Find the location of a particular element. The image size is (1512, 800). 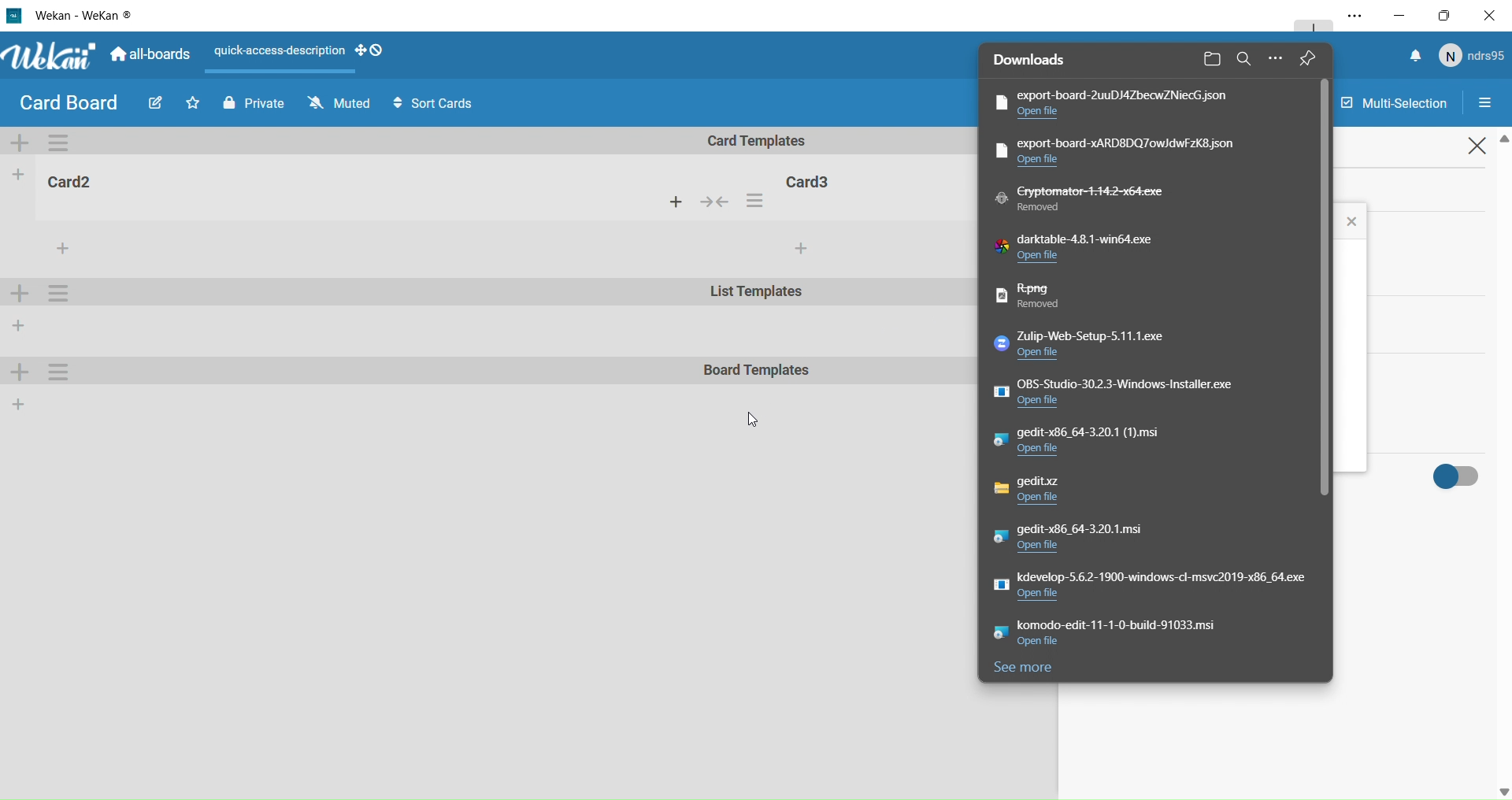

toggle off is located at coordinates (1458, 474).